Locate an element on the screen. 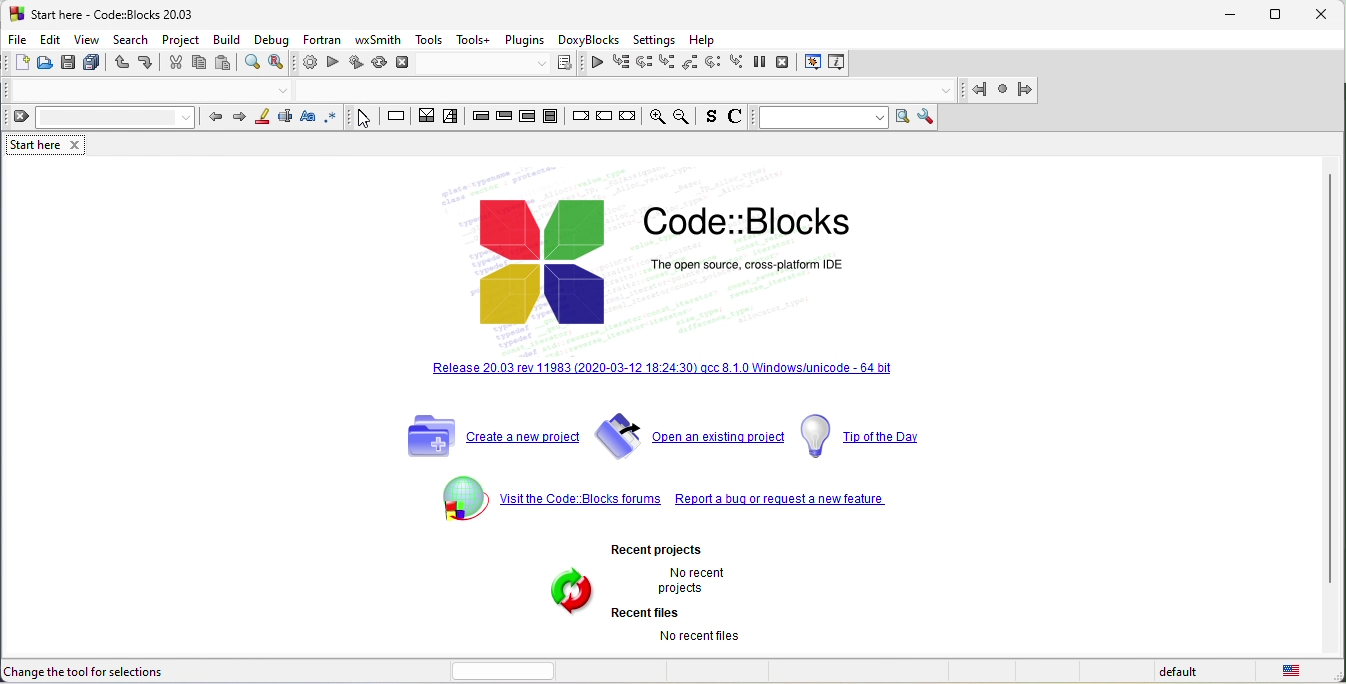 The image size is (1346, 684). copy is located at coordinates (201, 64).